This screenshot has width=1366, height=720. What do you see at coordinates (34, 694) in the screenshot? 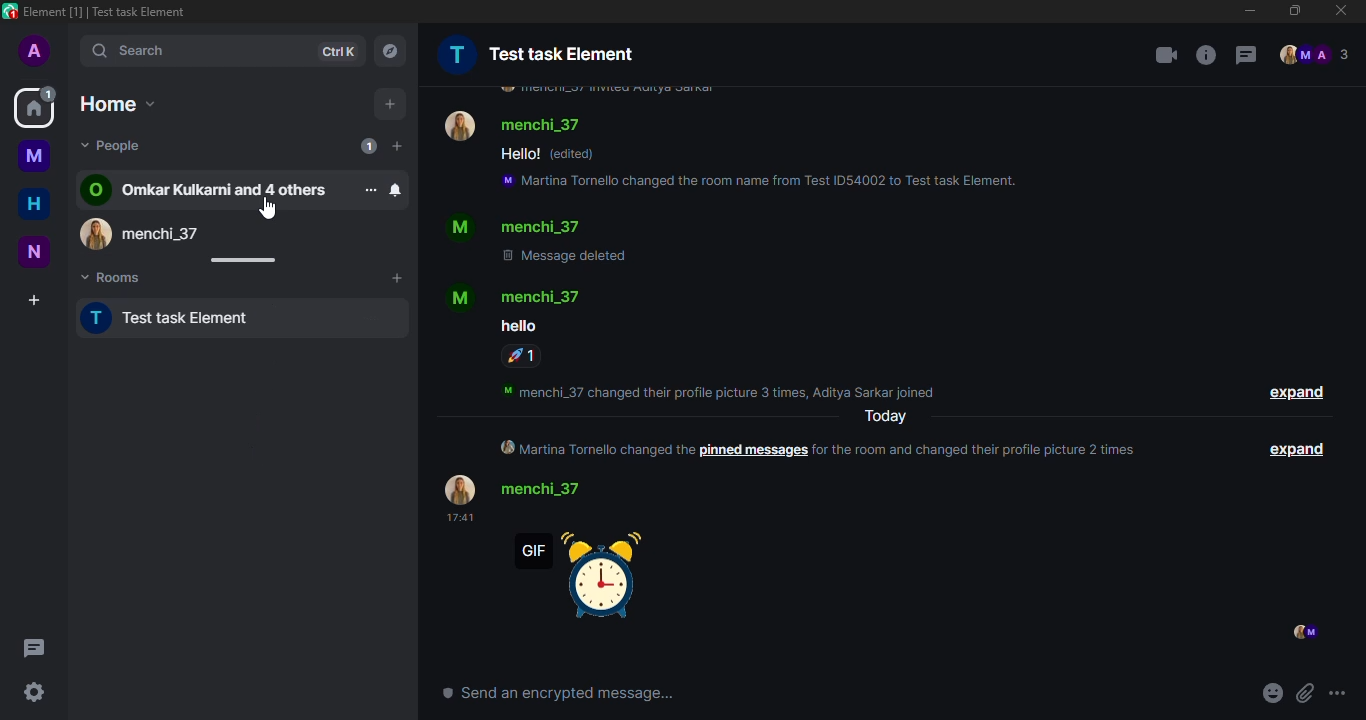
I see `quick settings` at bounding box center [34, 694].